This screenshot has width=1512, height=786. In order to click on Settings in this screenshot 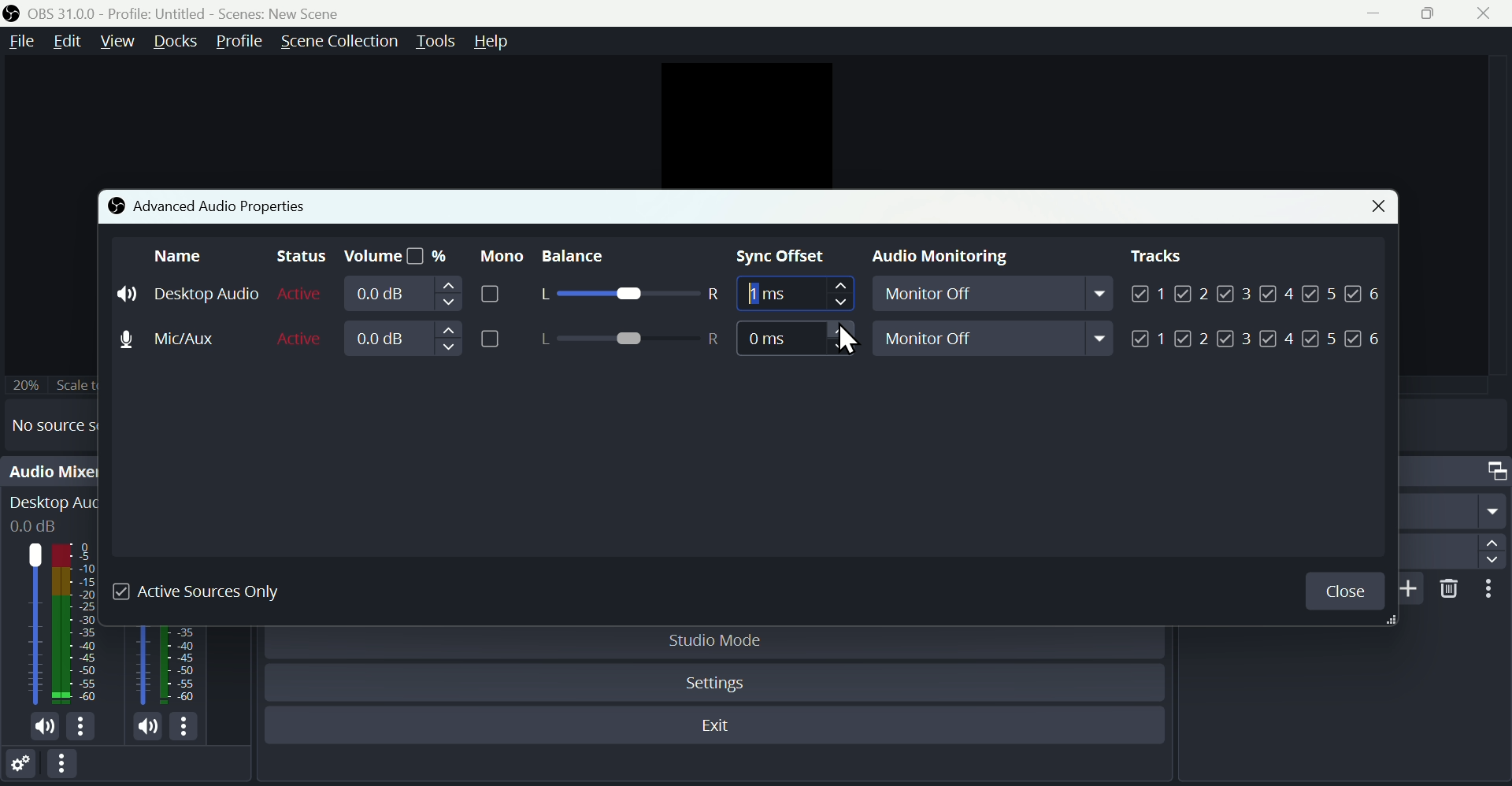, I will do `click(719, 684)`.